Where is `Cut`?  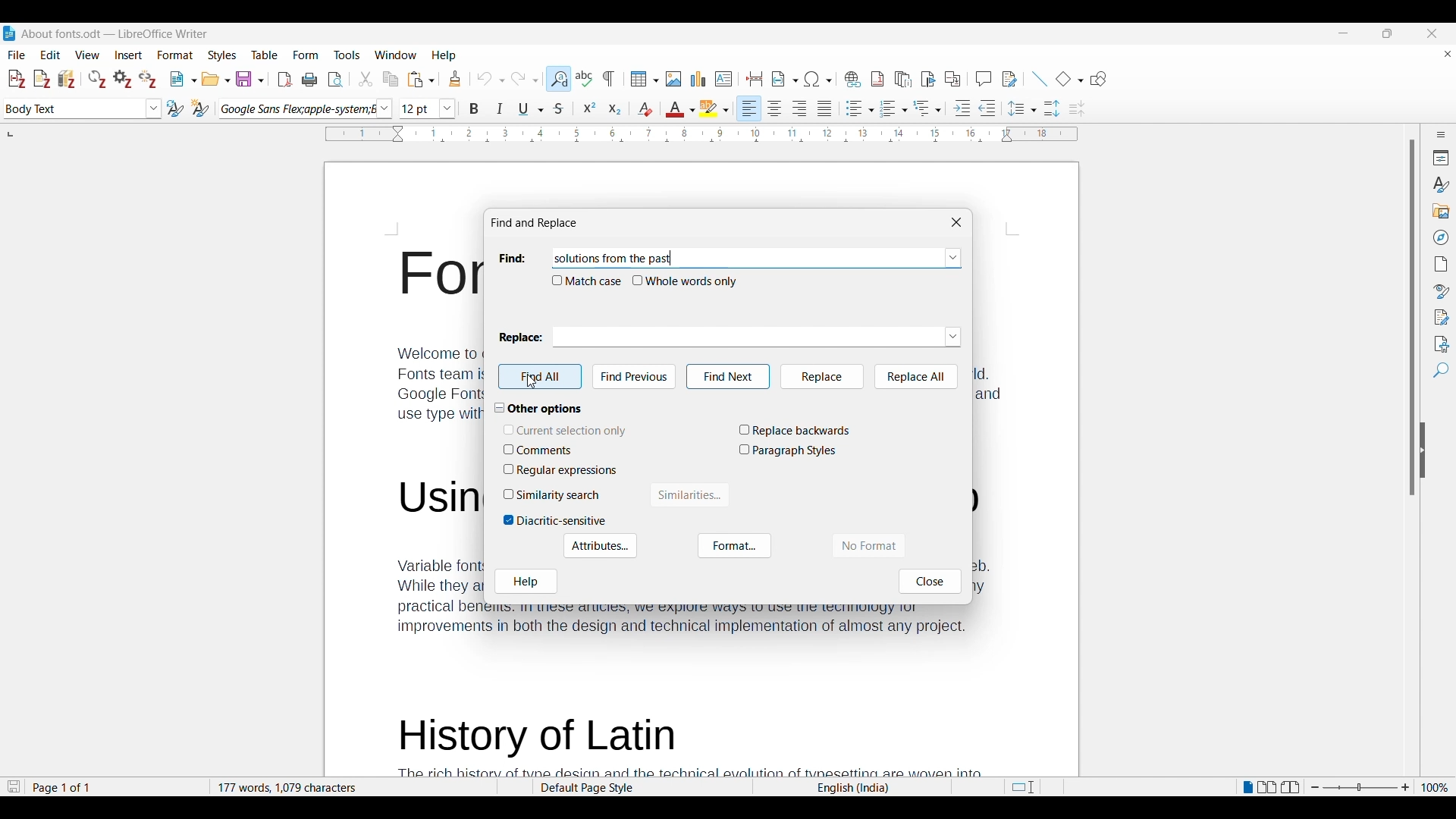 Cut is located at coordinates (365, 79).